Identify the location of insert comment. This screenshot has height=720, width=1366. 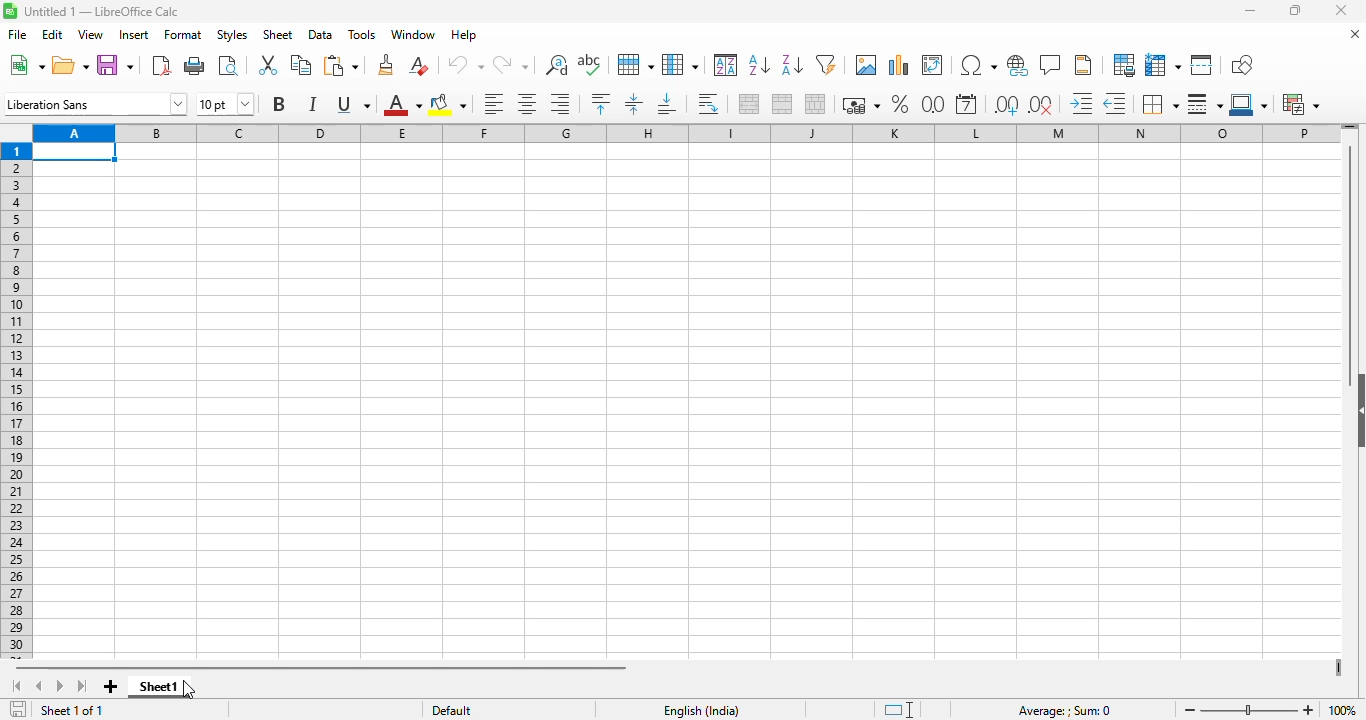
(1050, 65).